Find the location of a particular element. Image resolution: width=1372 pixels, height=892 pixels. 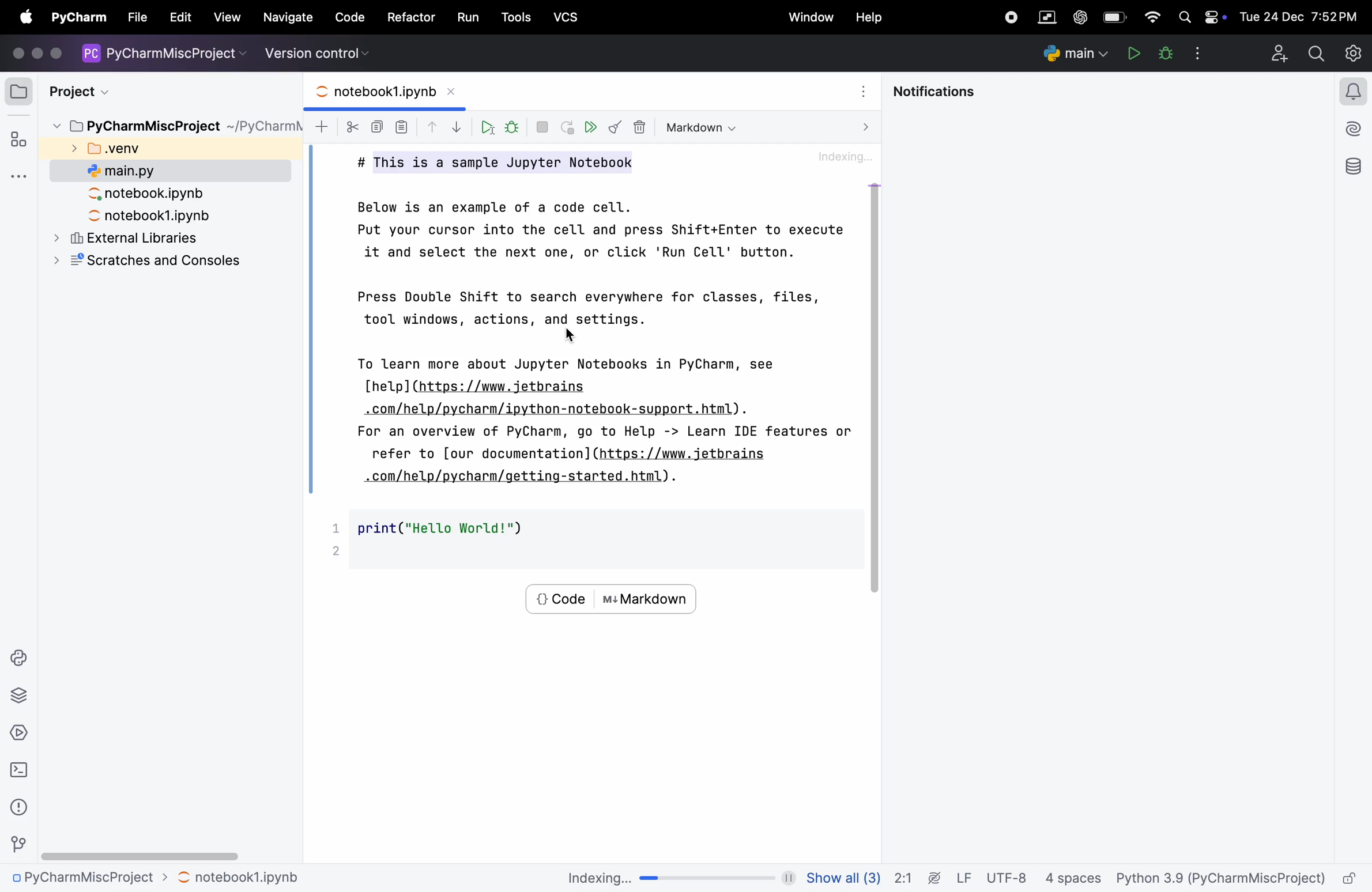

run is located at coordinates (592, 126).